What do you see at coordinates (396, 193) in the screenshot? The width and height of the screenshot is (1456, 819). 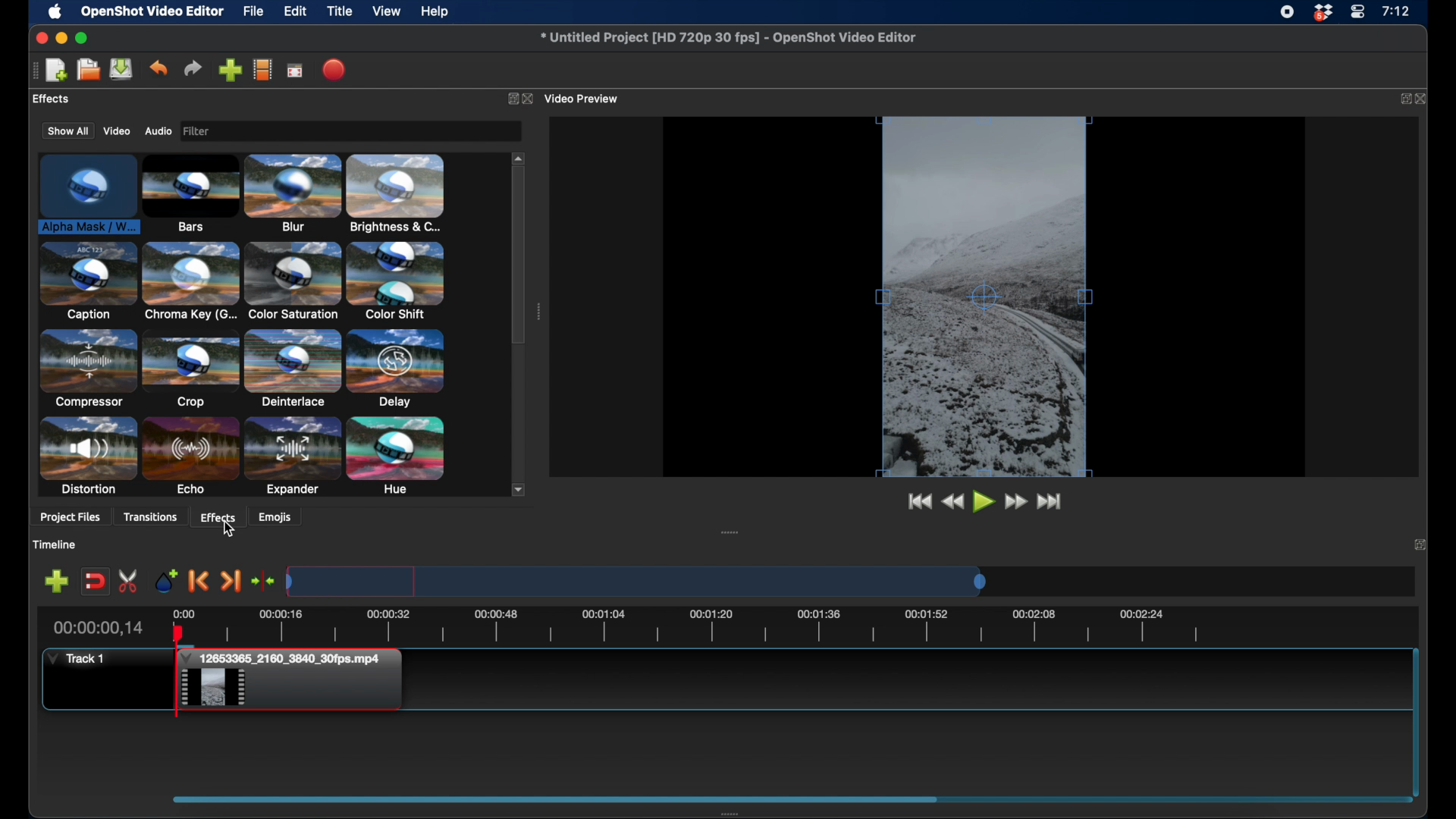 I see `brightness & contrast` at bounding box center [396, 193].